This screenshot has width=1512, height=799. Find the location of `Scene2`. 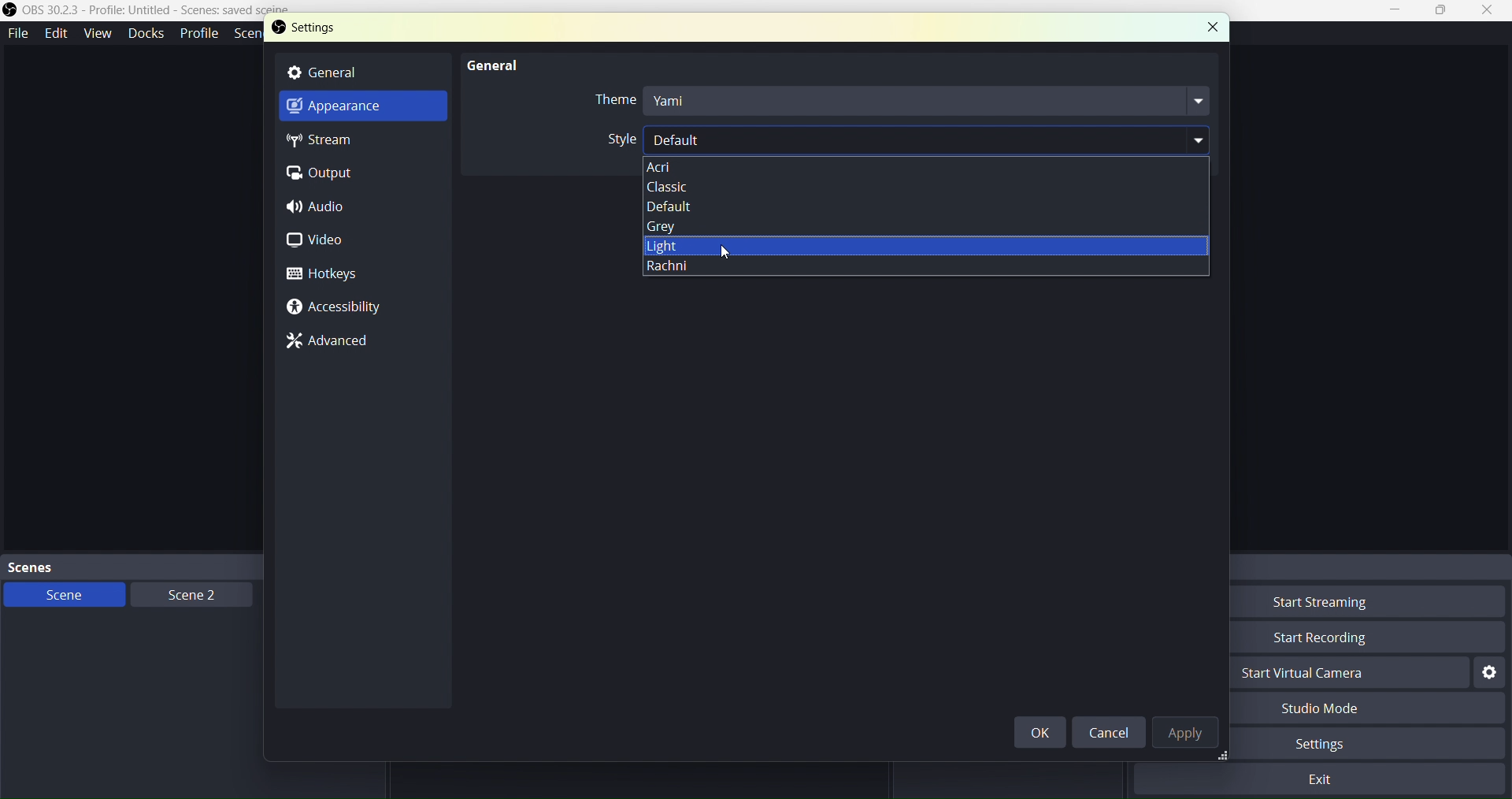

Scene2 is located at coordinates (186, 594).